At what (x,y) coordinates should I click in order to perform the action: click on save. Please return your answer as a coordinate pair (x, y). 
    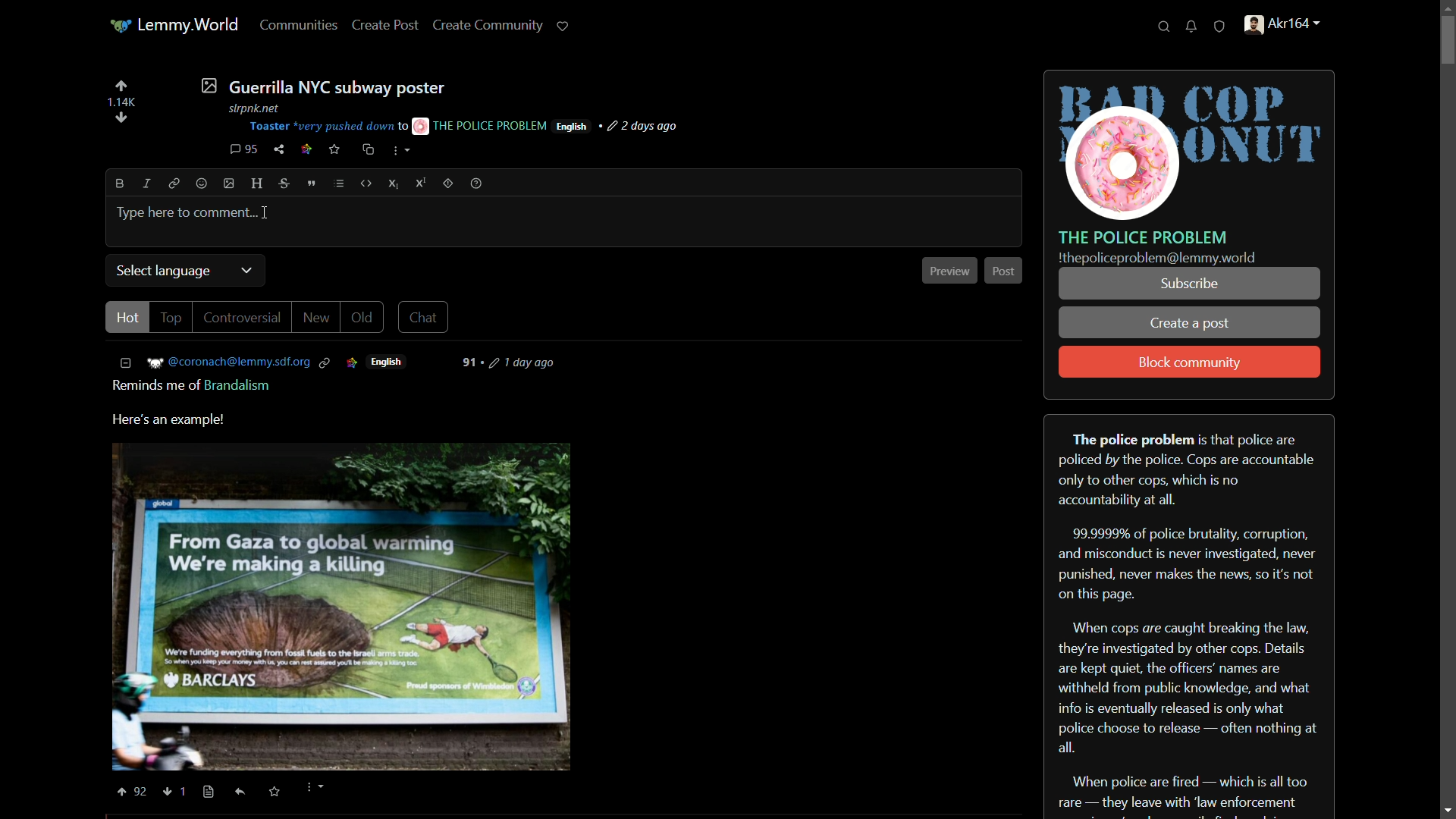
    Looking at the image, I should click on (335, 149).